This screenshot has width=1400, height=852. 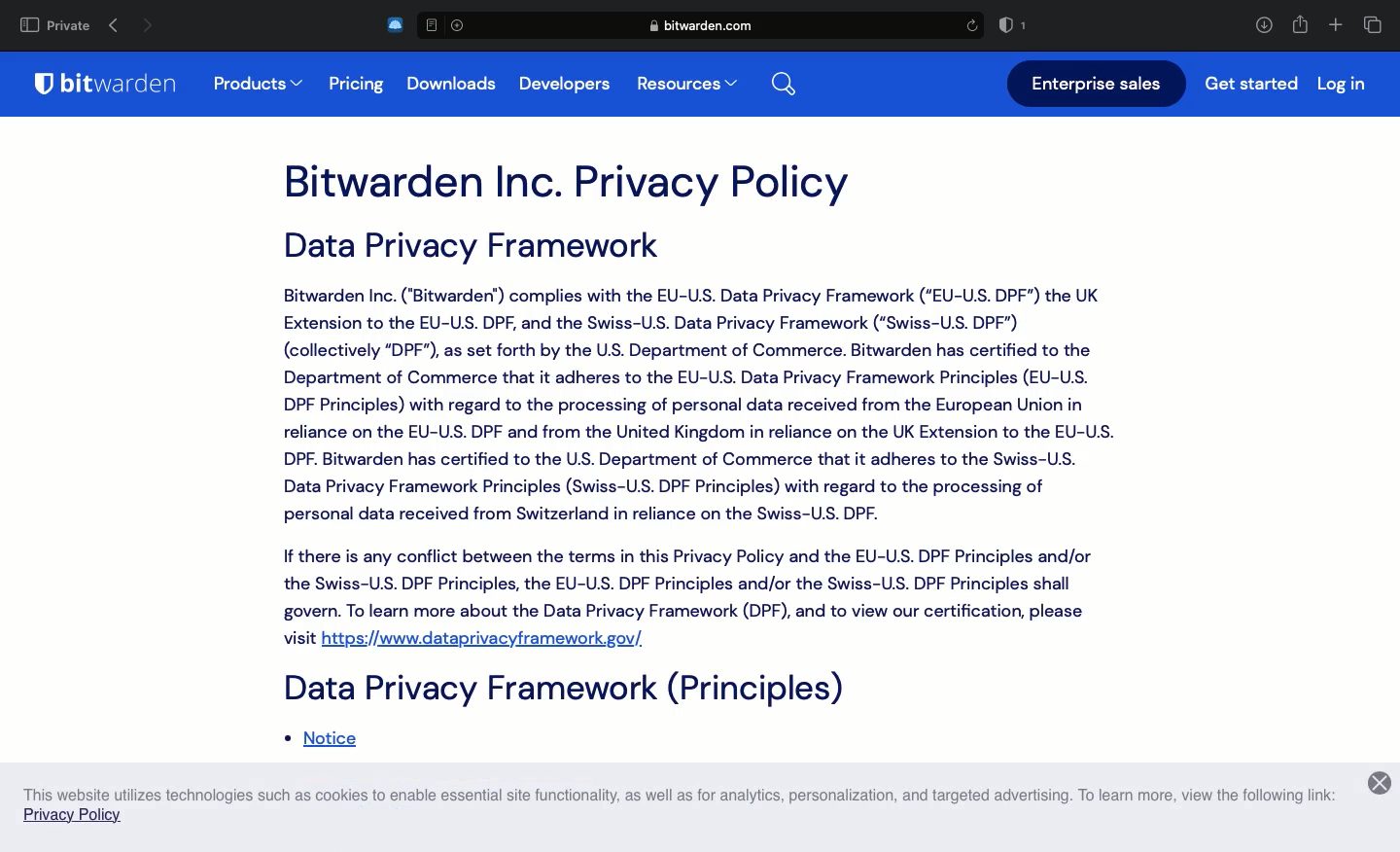 What do you see at coordinates (359, 86) in the screenshot?
I see `pricing` at bounding box center [359, 86].